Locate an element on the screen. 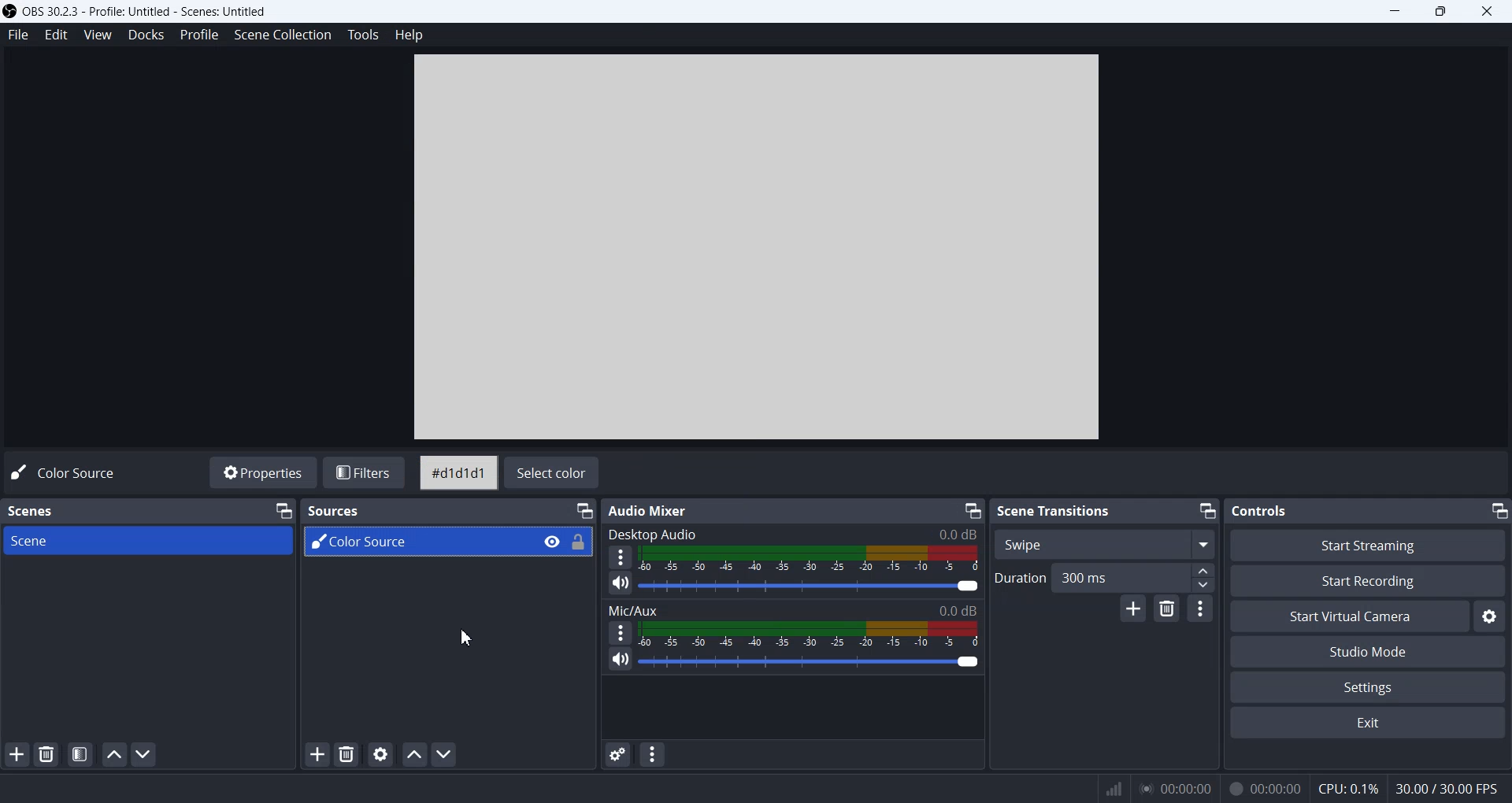 The image size is (1512, 803). Select color is located at coordinates (552, 472).